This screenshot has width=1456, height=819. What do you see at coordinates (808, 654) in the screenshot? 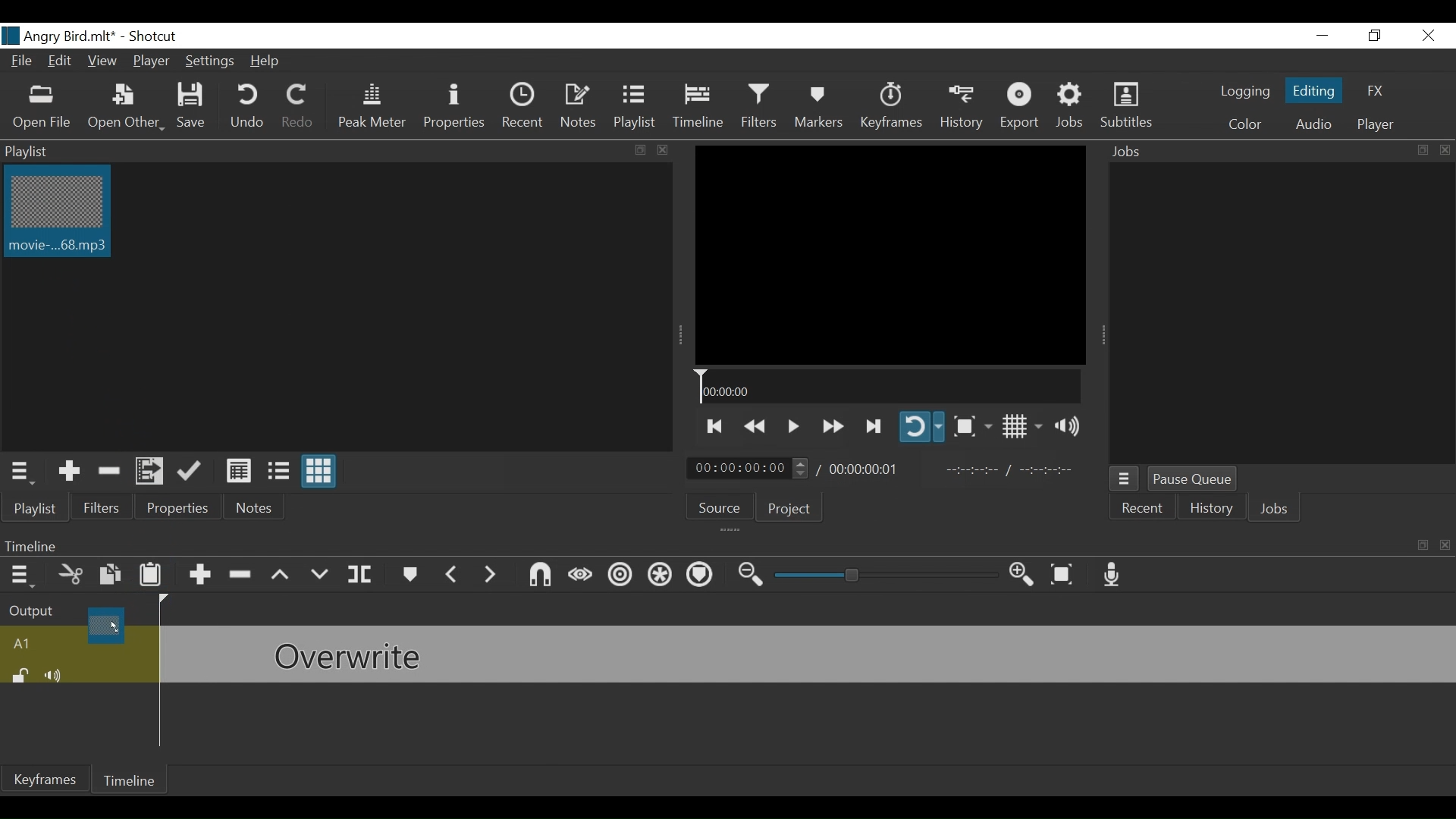
I see `audio track ` at bounding box center [808, 654].